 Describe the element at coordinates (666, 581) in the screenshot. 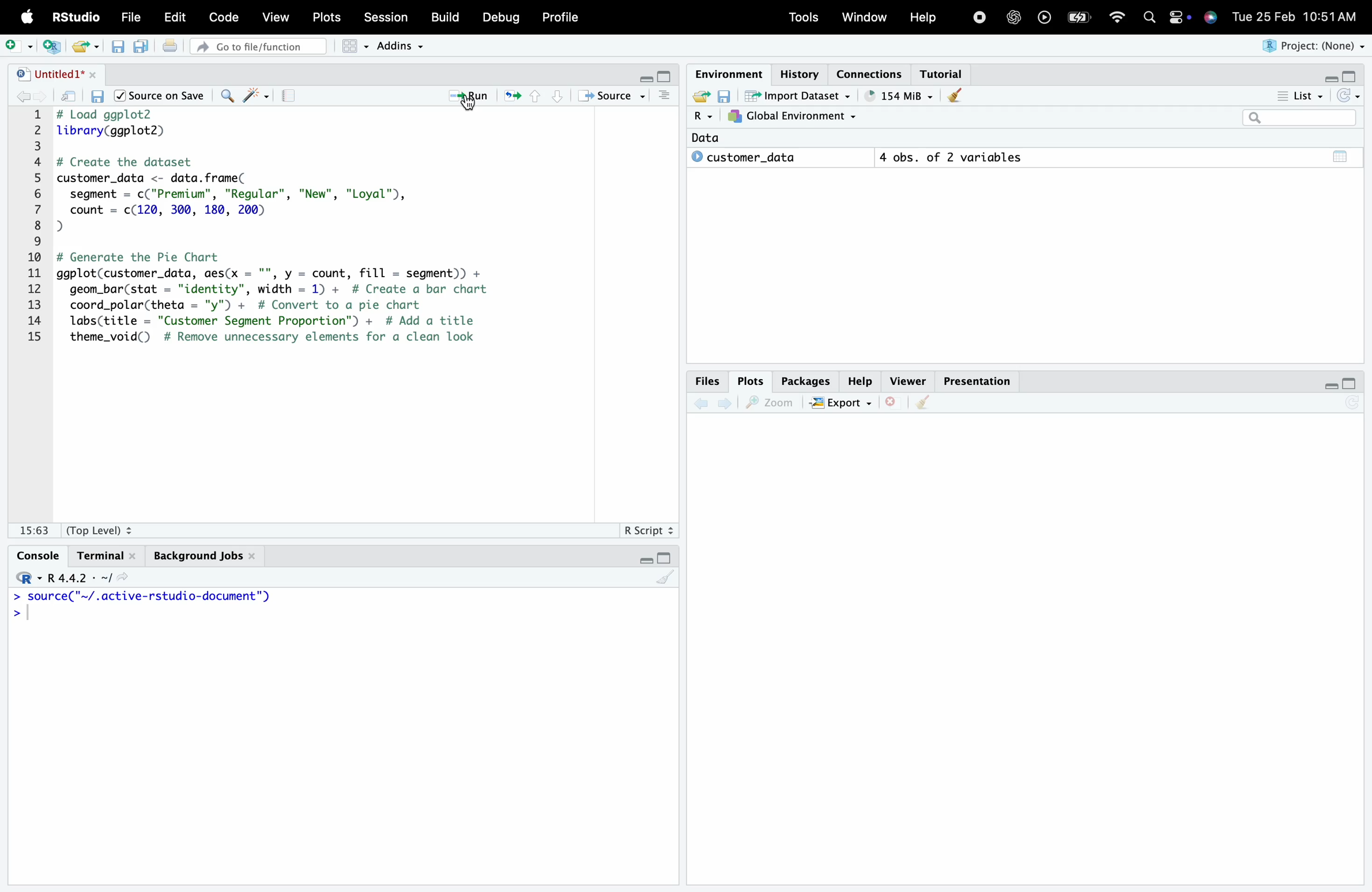

I see `clear` at that location.